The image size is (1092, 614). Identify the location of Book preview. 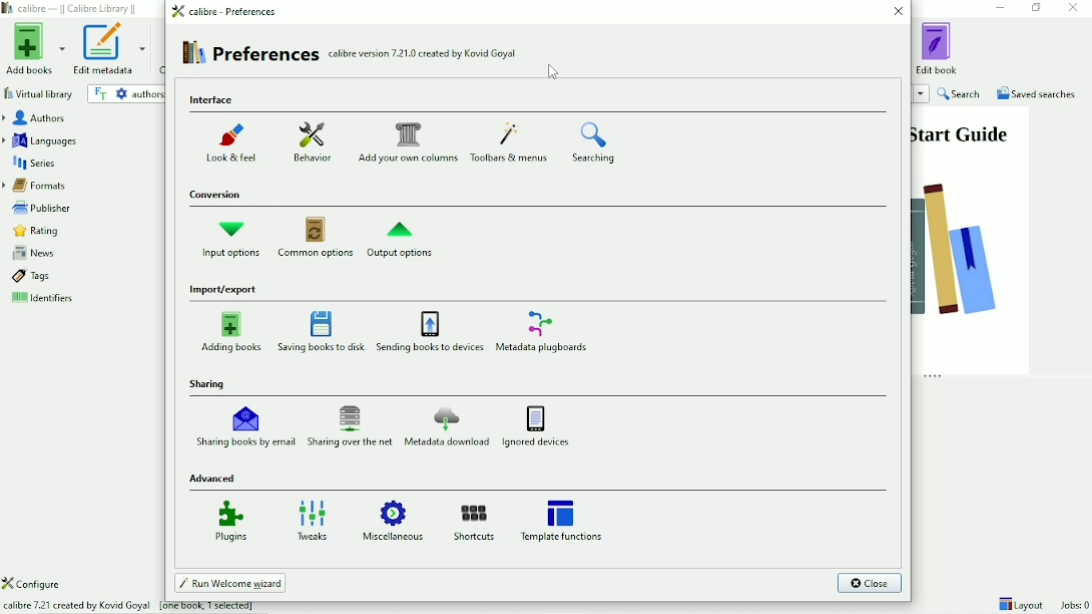
(971, 239).